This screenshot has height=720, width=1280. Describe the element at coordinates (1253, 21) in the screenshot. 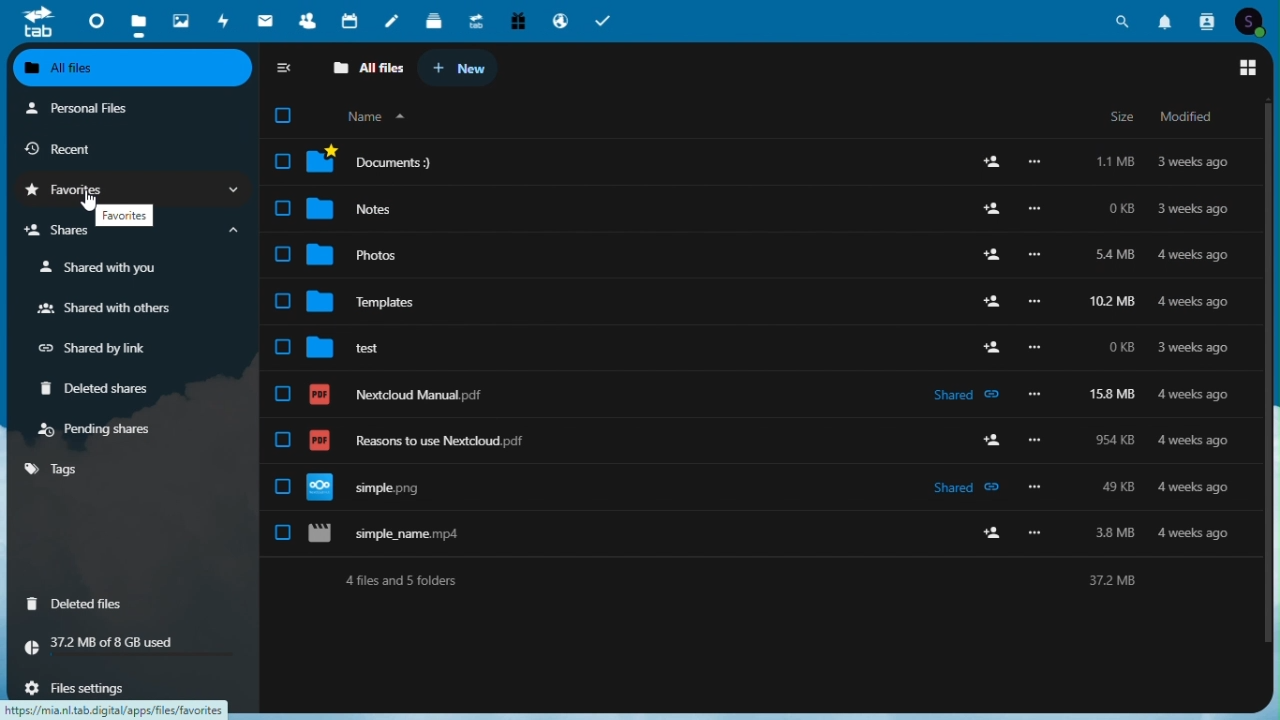

I see `Account icon` at that location.